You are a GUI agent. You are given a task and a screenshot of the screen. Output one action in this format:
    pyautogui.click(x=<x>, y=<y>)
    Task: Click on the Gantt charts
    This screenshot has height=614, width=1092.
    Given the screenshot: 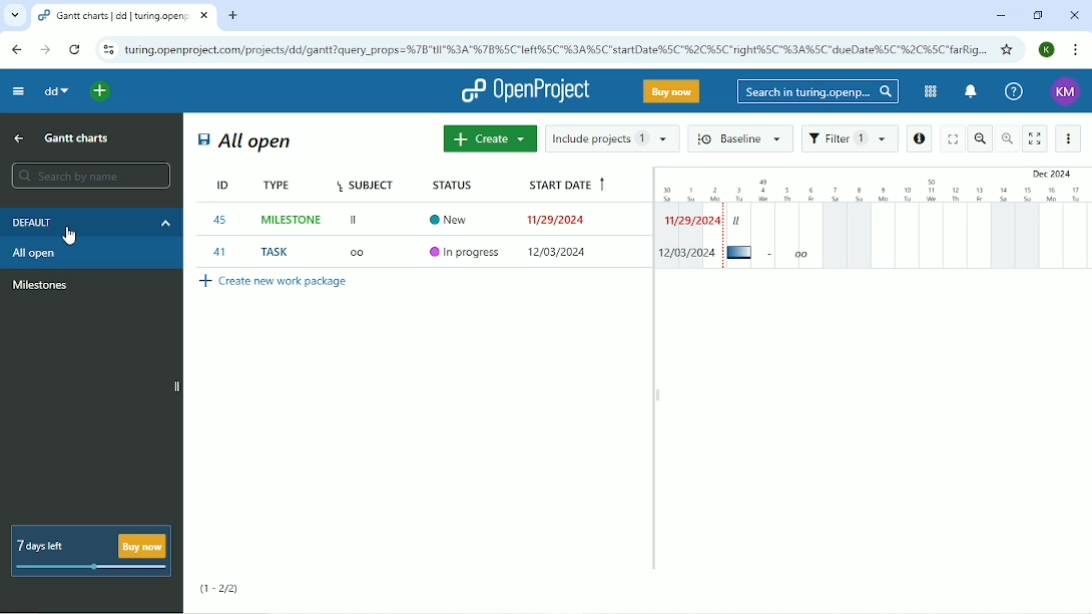 What is the action you would take?
    pyautogui.click(x=872, y=216)
    